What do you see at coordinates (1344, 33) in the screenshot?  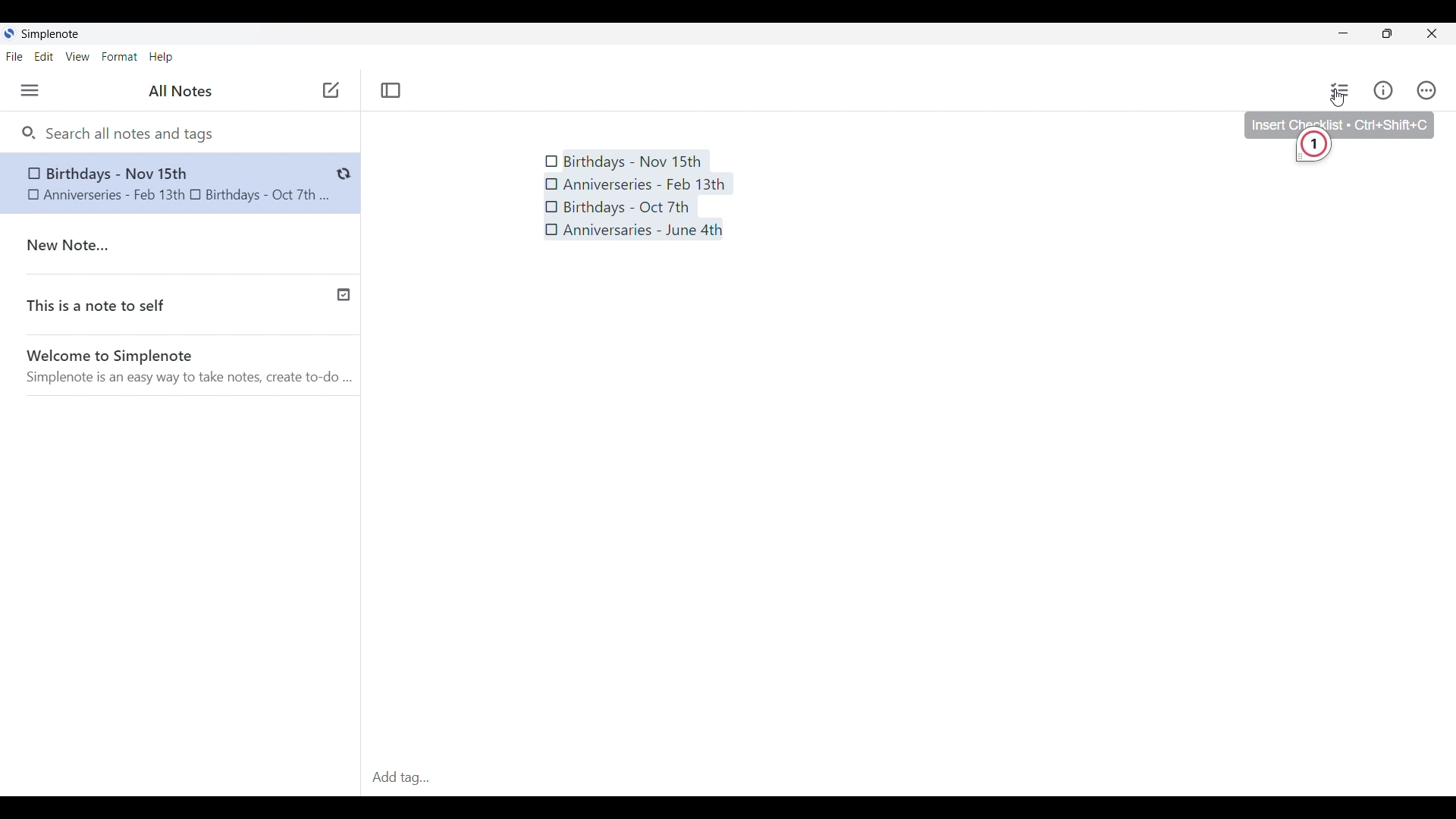 I see `Minimize` at bounding box center [1344, 33].